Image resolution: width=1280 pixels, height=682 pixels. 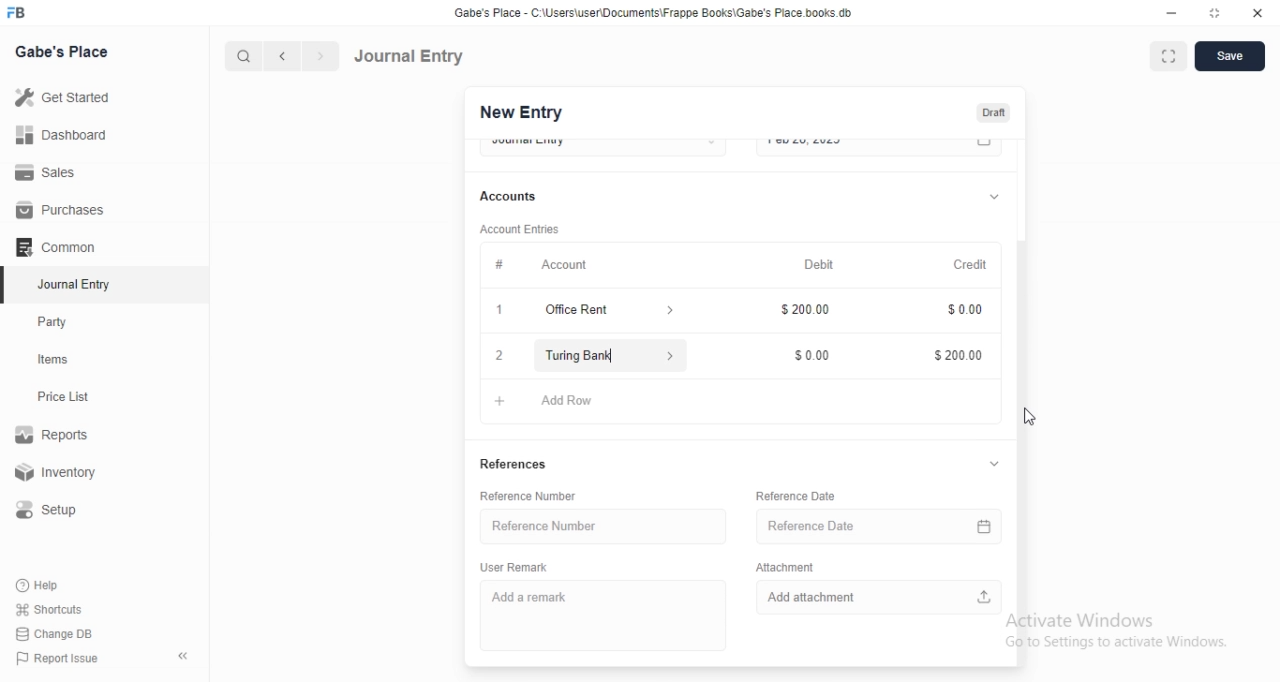 I want to click on ‘Change DB, so click(x=55, y=634).